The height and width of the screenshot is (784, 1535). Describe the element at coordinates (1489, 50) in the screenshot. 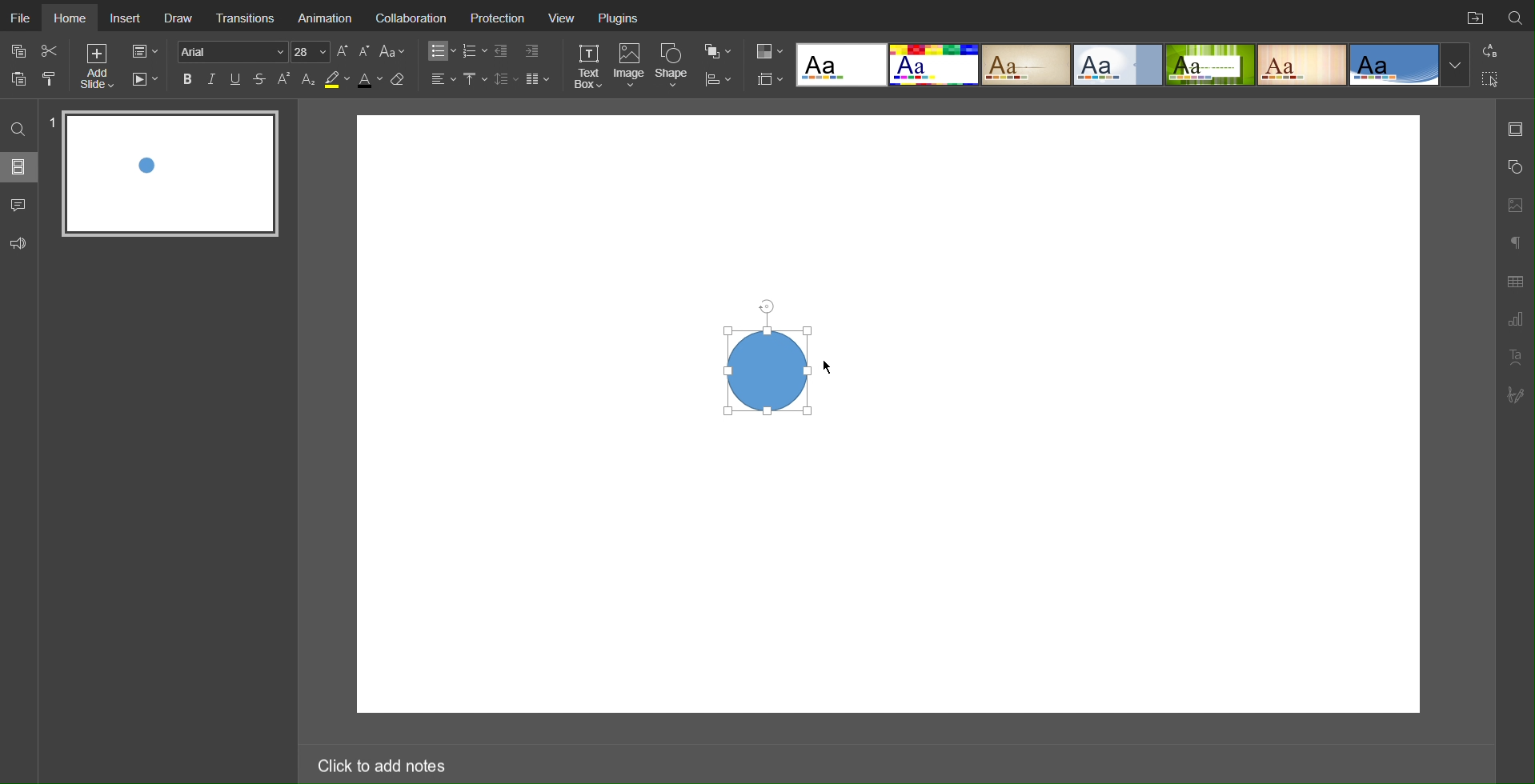

I see `Replace` at that location.